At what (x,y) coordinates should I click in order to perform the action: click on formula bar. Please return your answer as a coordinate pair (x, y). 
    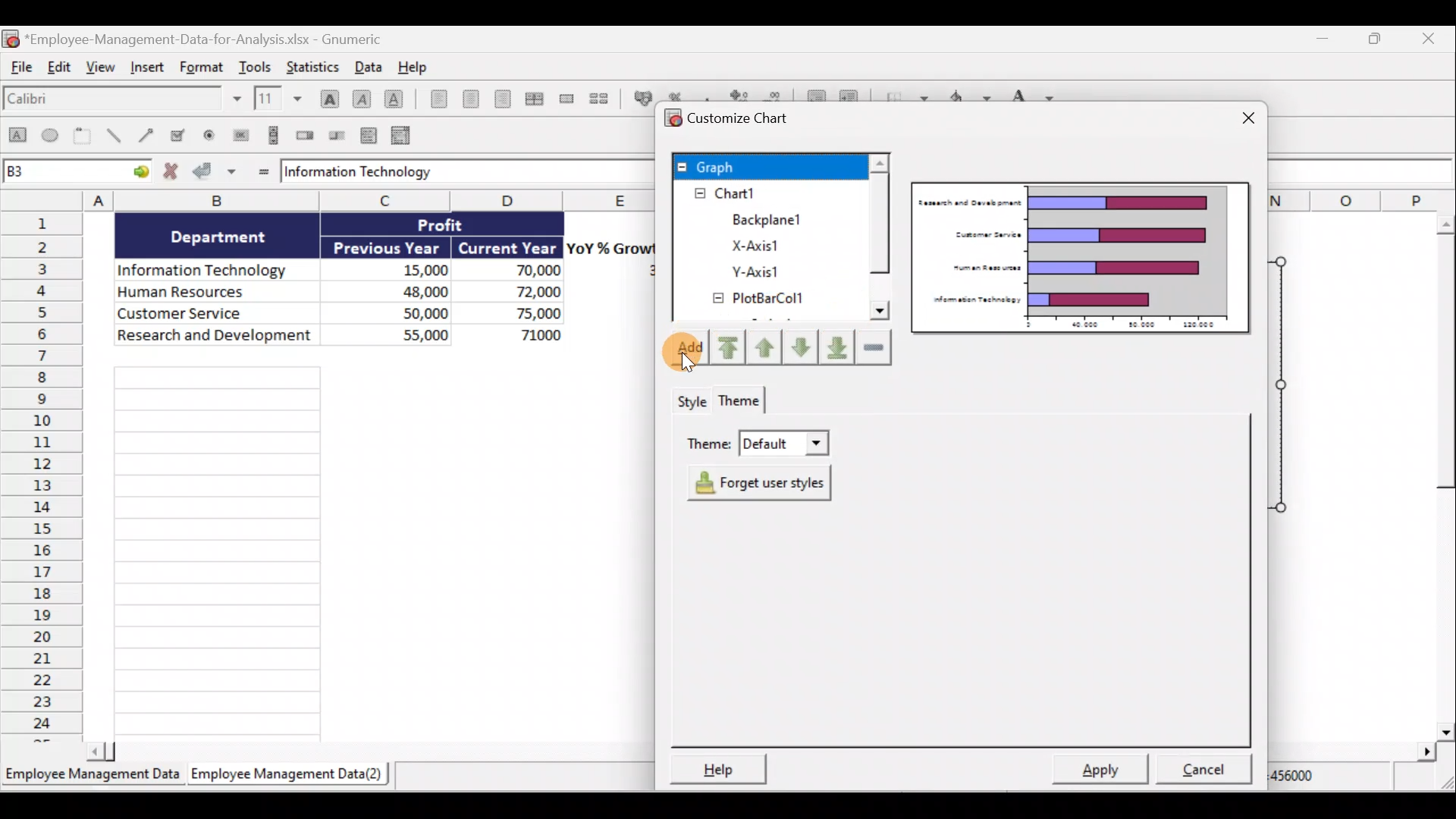
    Looking at the image, I should click on (458, 173).